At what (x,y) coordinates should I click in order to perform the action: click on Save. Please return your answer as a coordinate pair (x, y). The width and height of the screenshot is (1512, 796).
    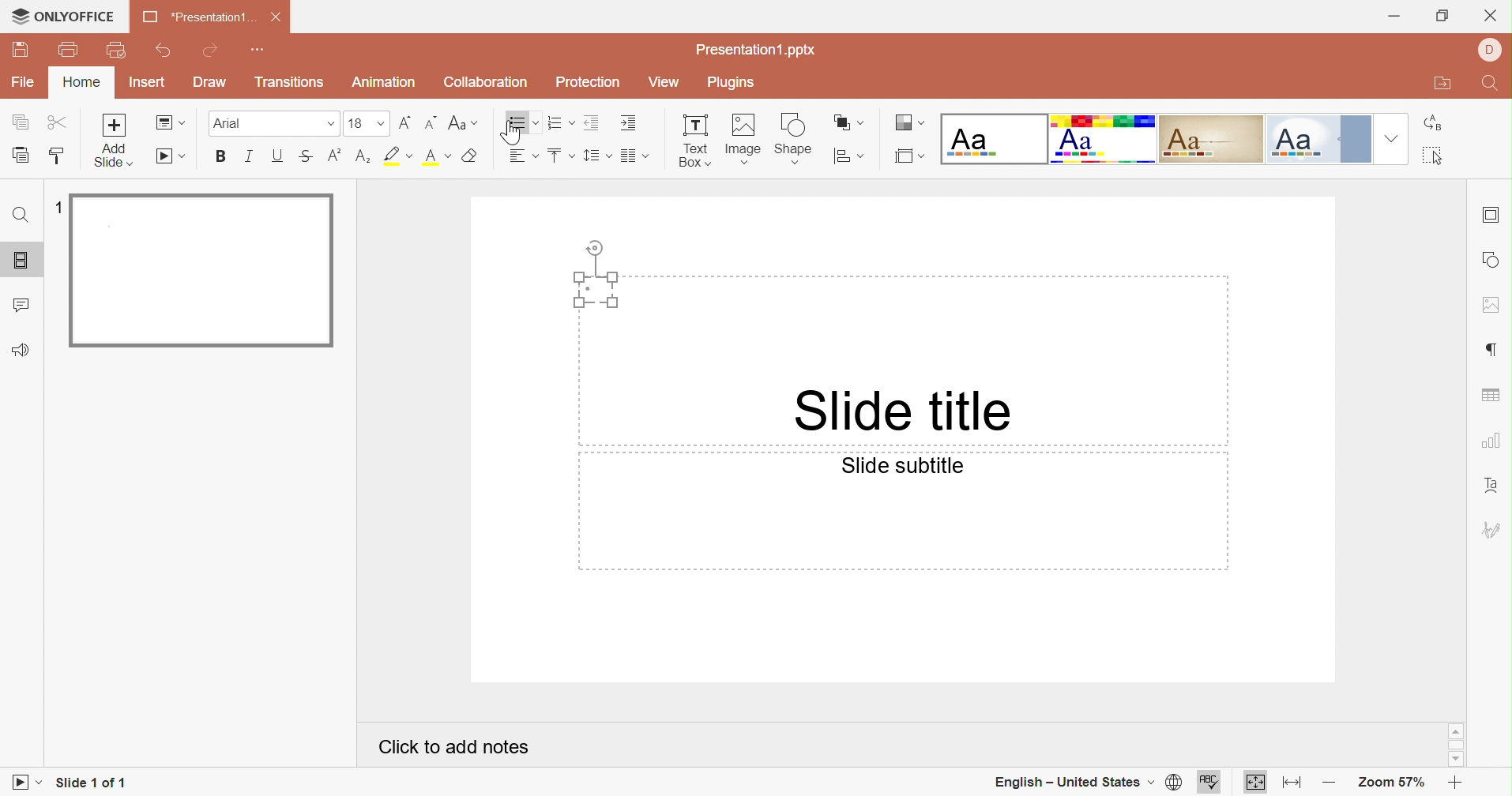
    Looking at the image, I should click on (23, 48).